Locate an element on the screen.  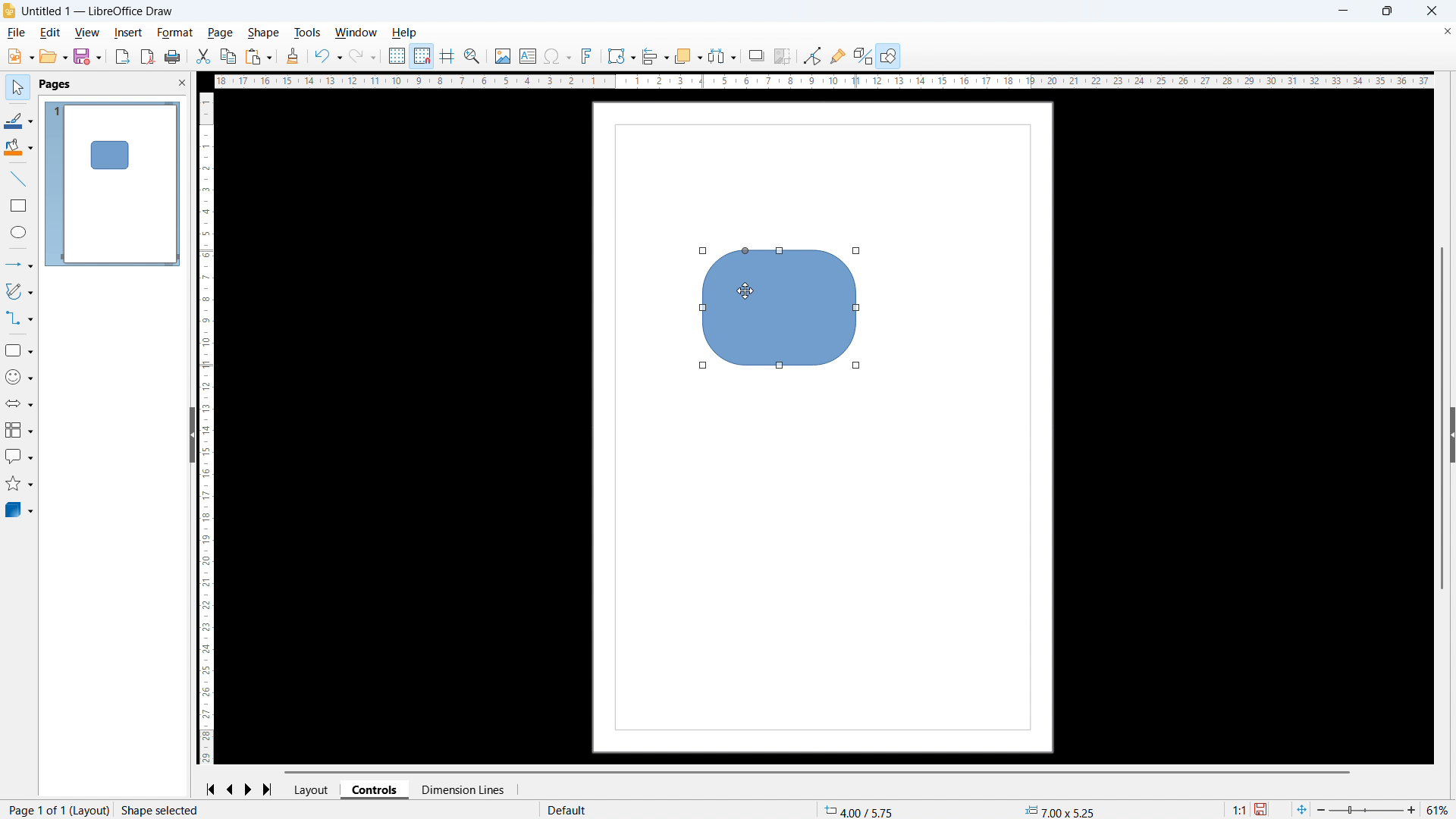
1:1 is located at coordinates (1238, 808).